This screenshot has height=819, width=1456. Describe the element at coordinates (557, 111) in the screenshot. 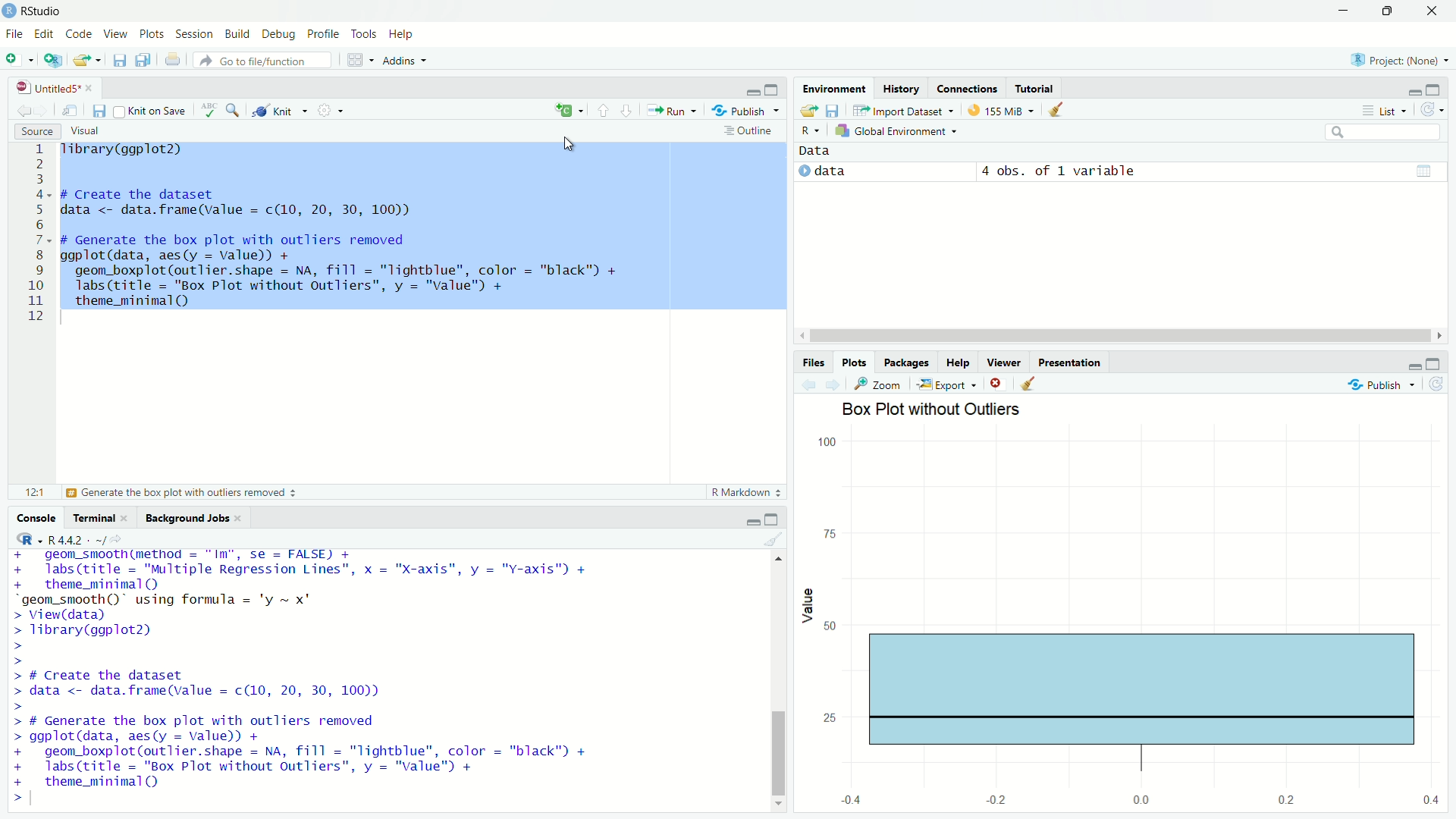

I see `add` at that location.